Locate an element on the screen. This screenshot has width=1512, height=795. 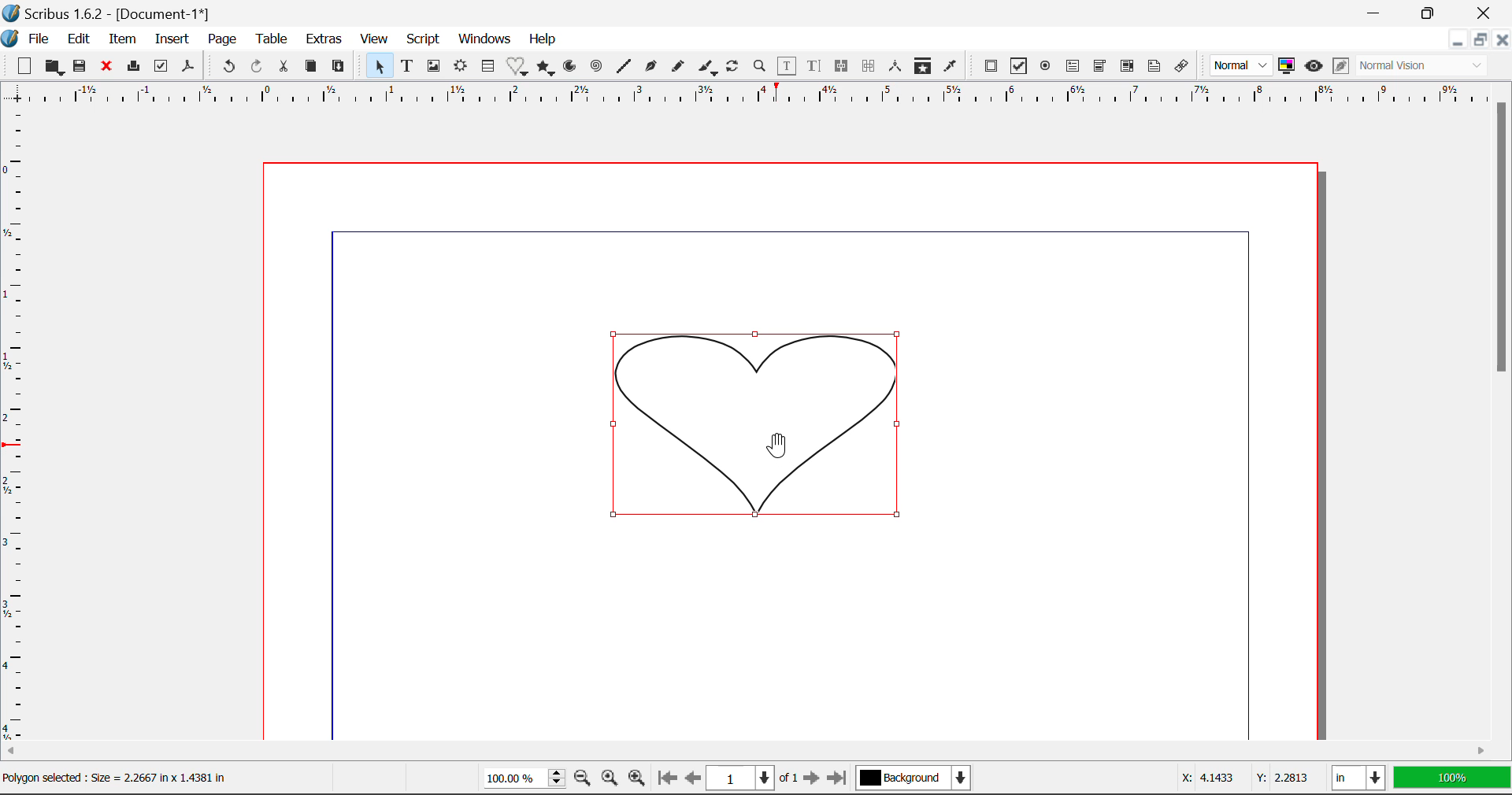
Insert is located at coordinates (170, 39).